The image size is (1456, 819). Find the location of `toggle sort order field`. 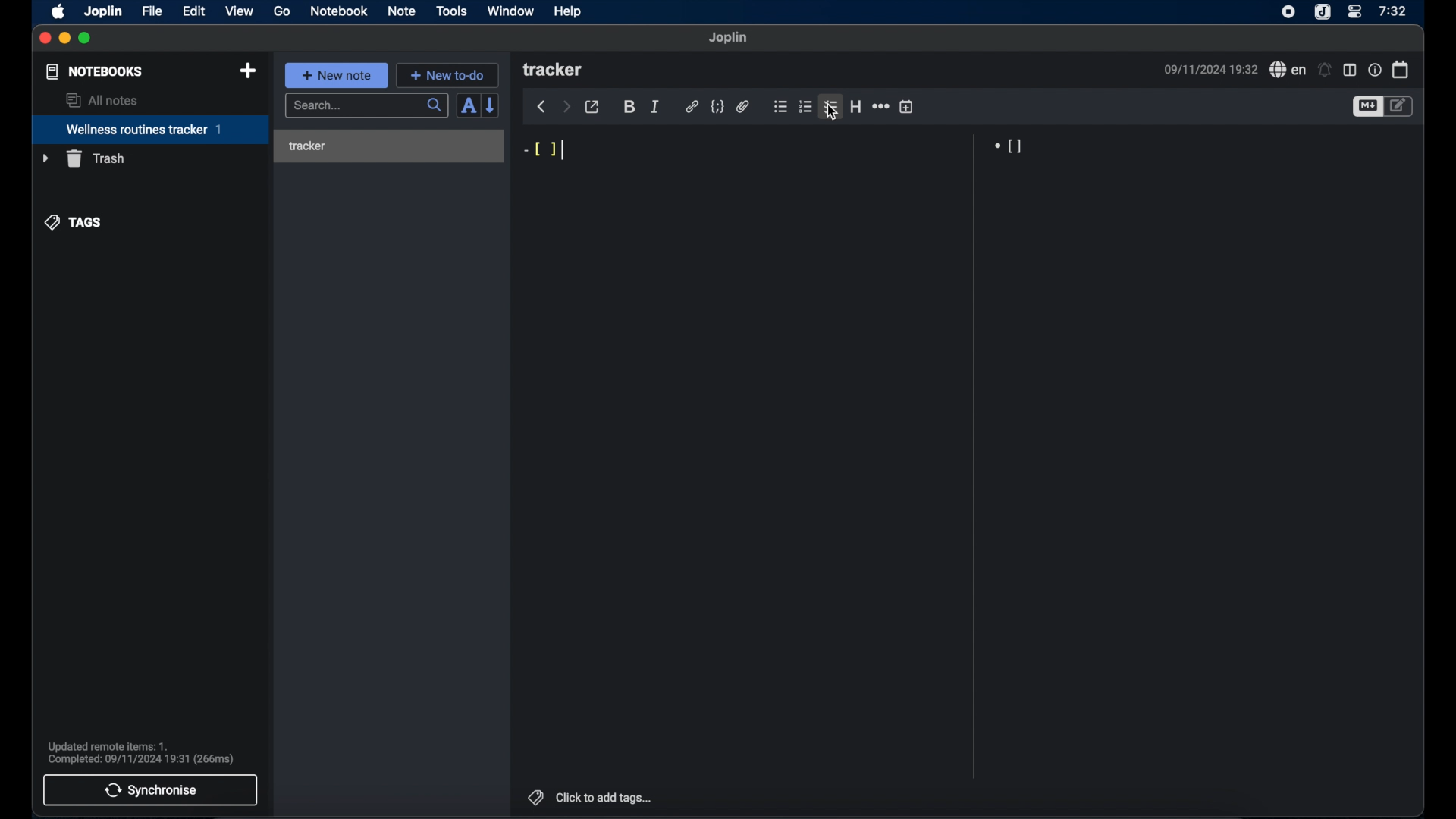

toggle sort order field is located at coordinates (468, 105).